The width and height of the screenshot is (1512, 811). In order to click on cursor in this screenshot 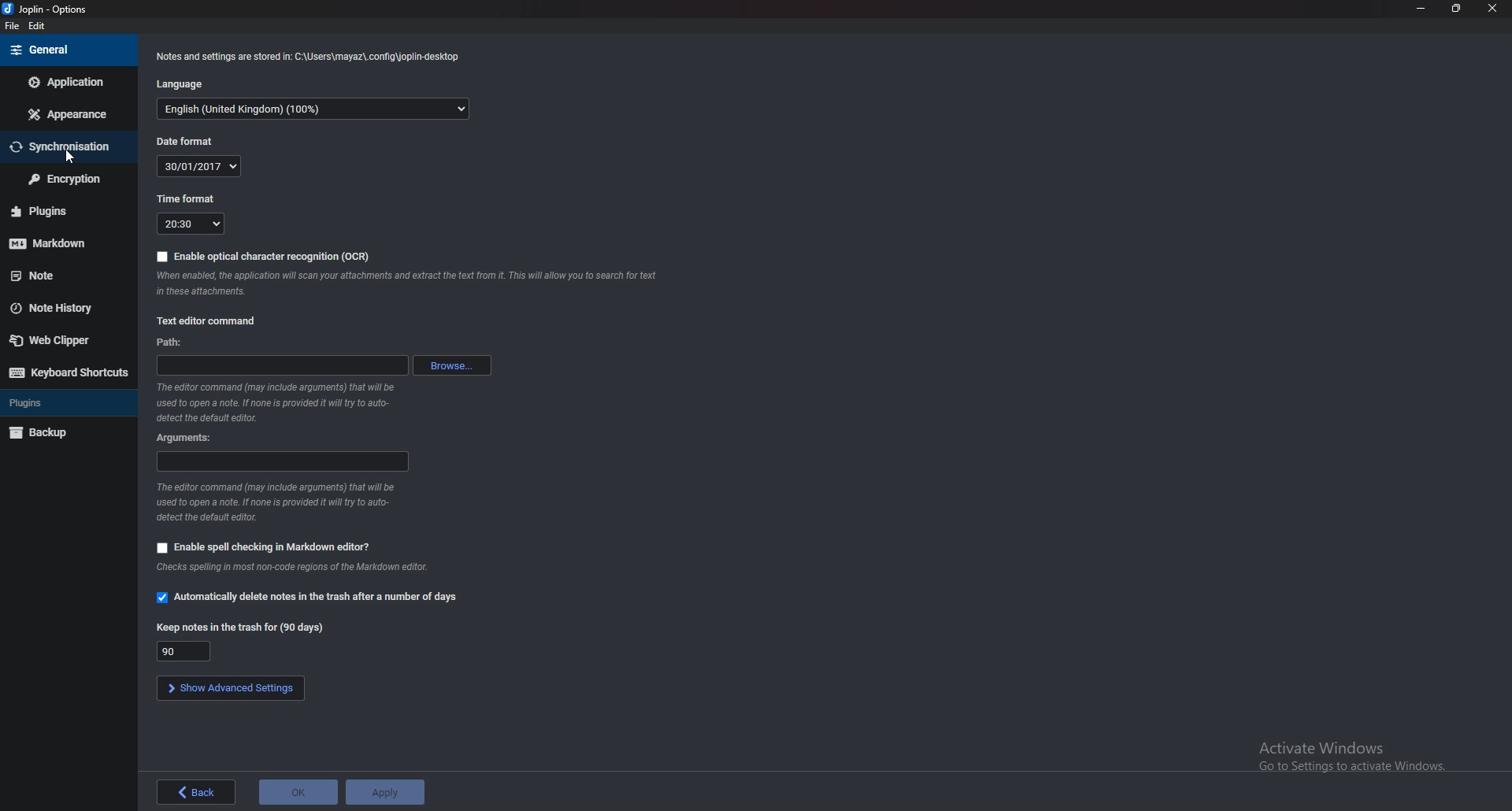, I will do `click(72, 159)`.